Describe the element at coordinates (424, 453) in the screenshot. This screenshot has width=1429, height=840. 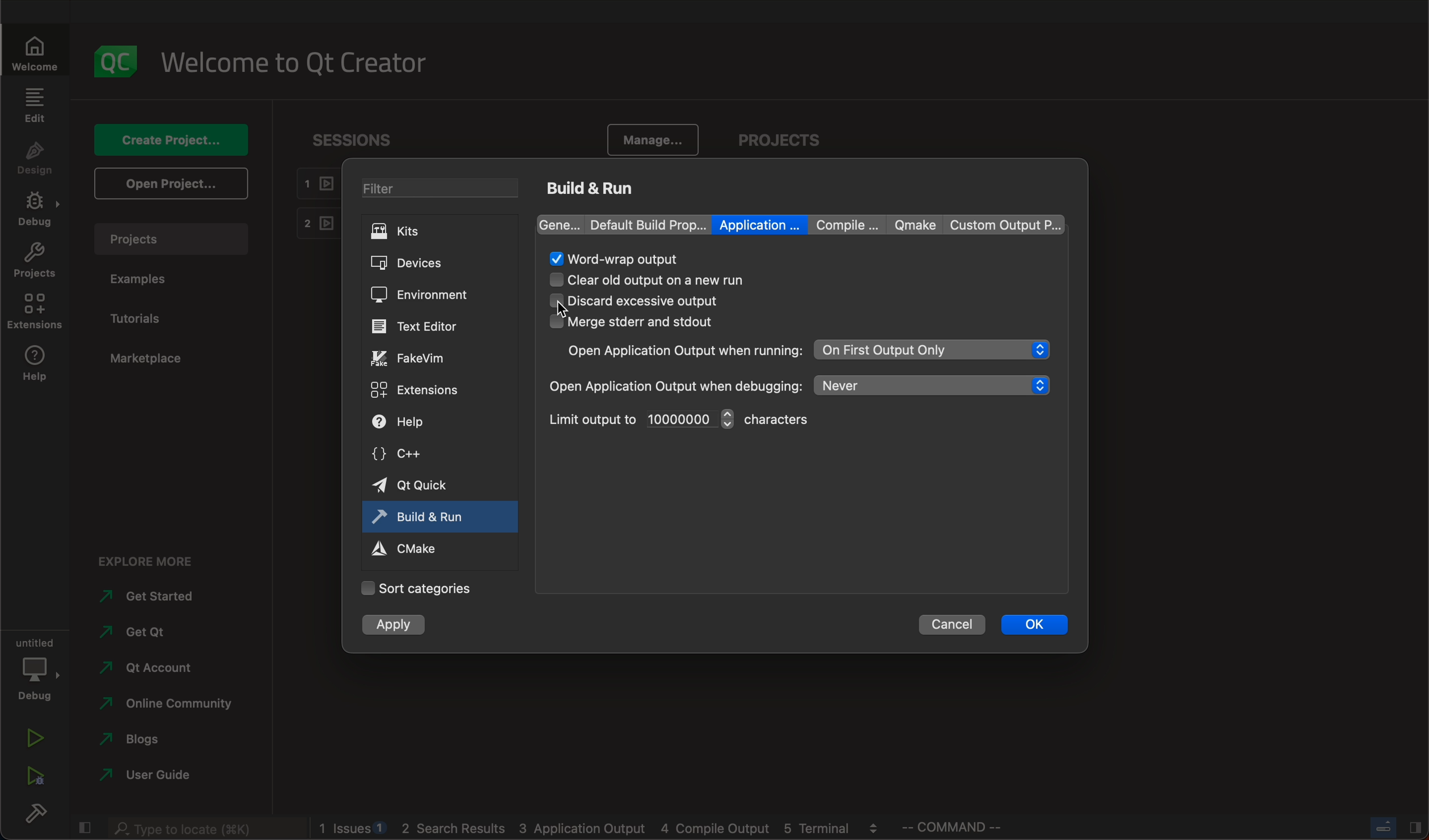
I see `c++` at that location.